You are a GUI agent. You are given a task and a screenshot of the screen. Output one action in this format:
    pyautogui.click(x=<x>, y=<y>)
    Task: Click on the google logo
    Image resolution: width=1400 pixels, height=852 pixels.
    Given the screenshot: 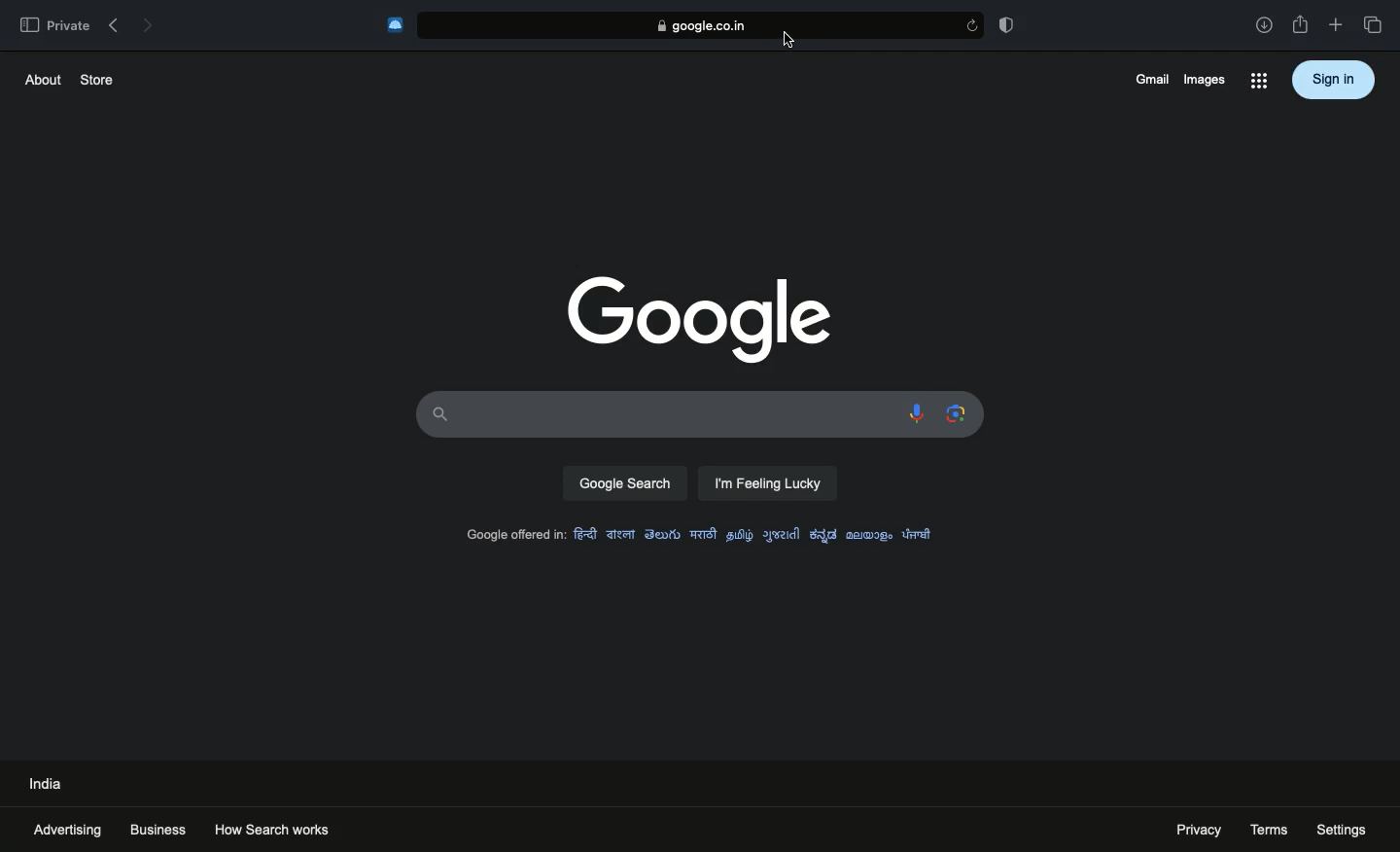 What is the action you would take?
    pyautogui.click(x=693, y=317)
    